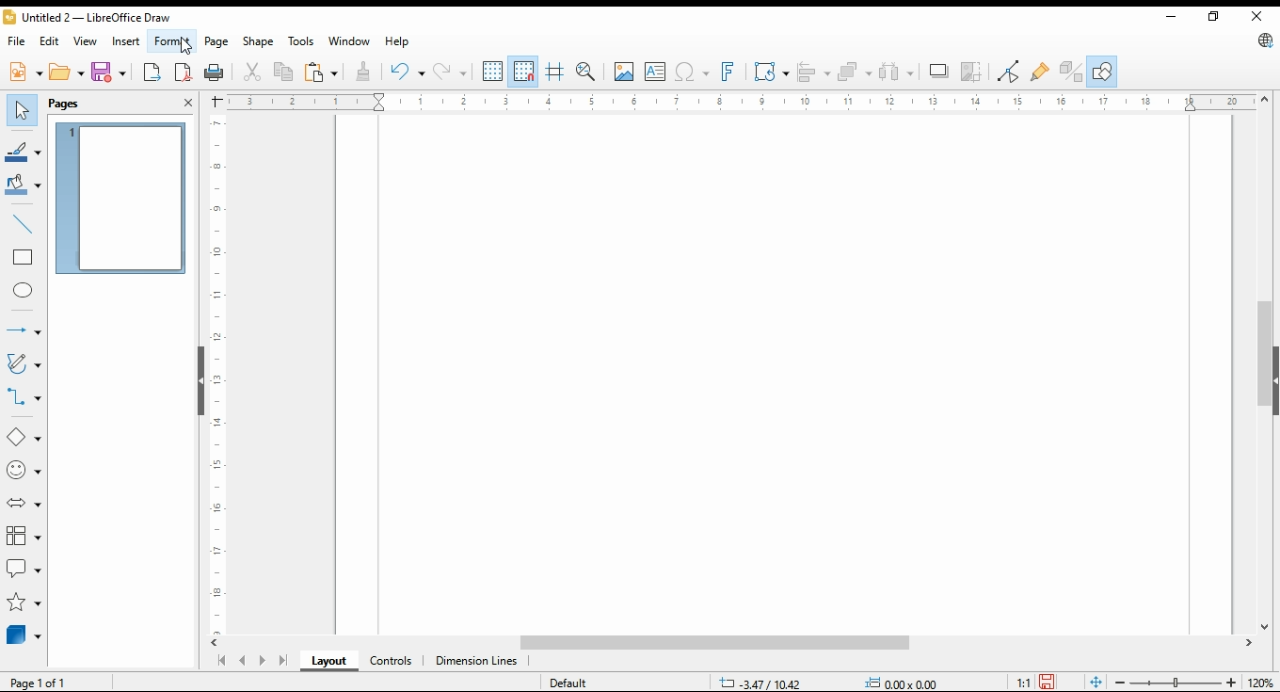 Image resolution: width=1280 pixels, height=692 pixels. What do you see at coordinates (23, 331) in the screenshot?
I see `lines and arrows` at bounding box center [23, 331].